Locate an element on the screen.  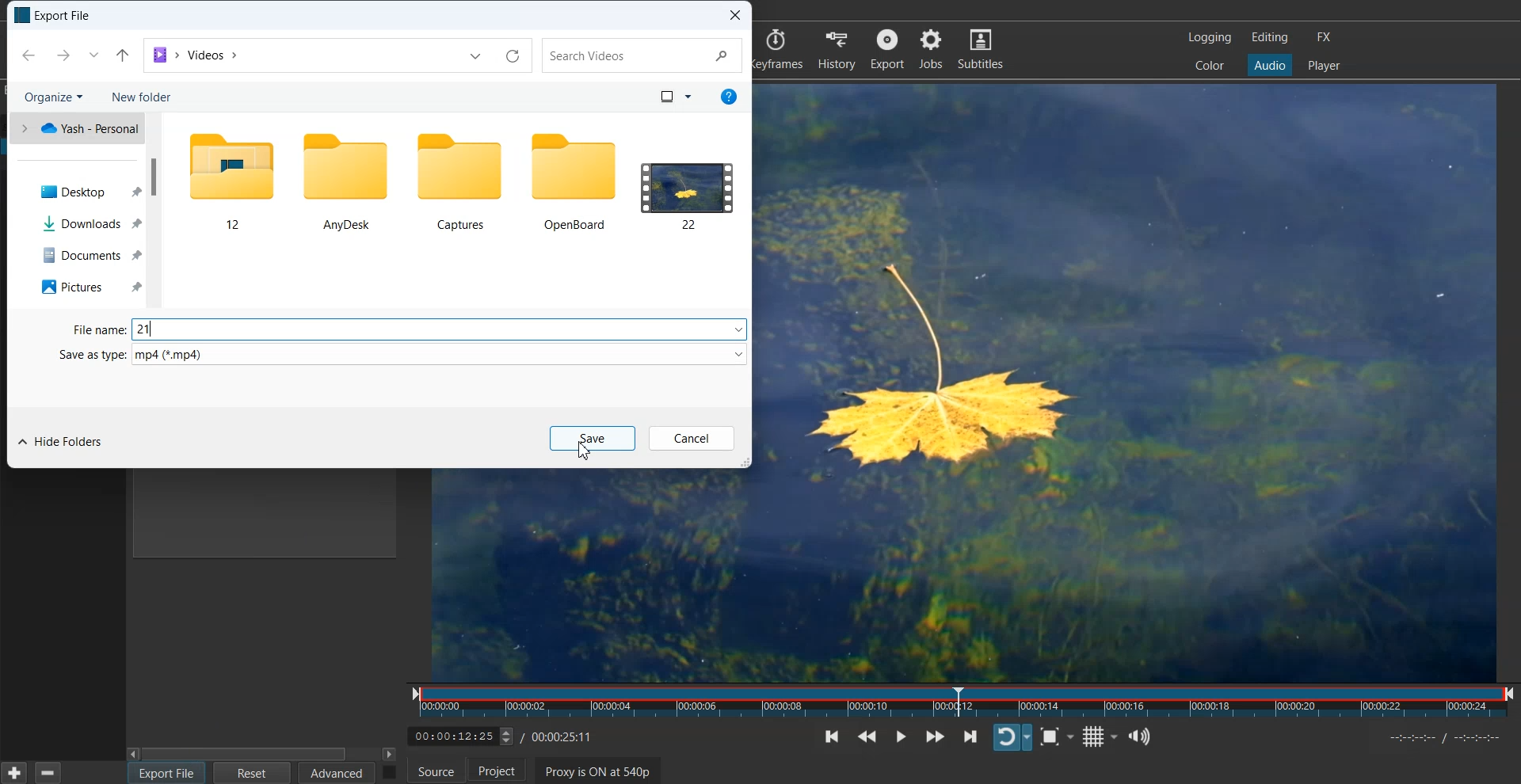
Files is located at coordinates (692, 181).